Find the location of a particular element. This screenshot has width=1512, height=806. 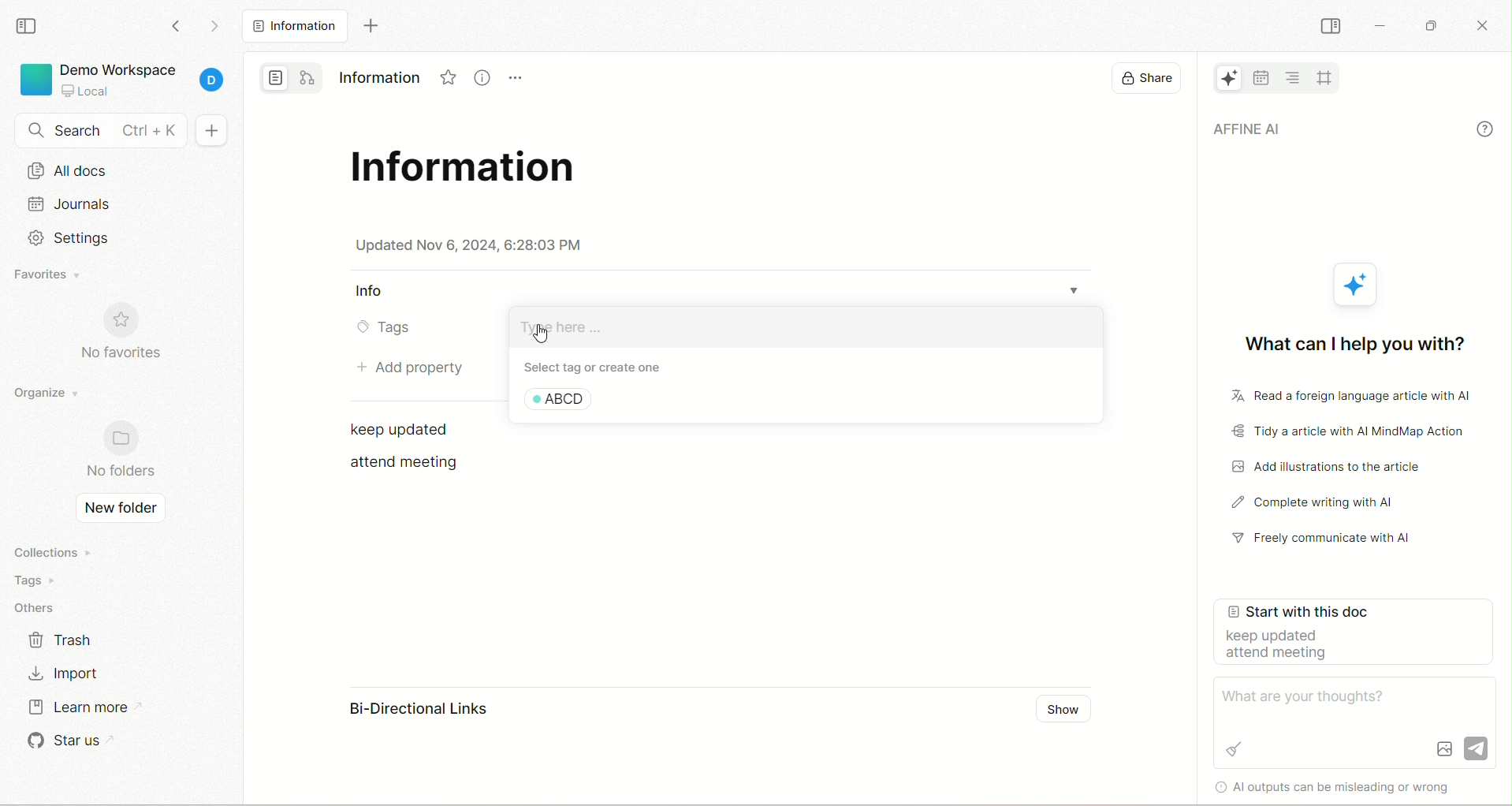

what can I help you with is located at coordinates (1351, 340).